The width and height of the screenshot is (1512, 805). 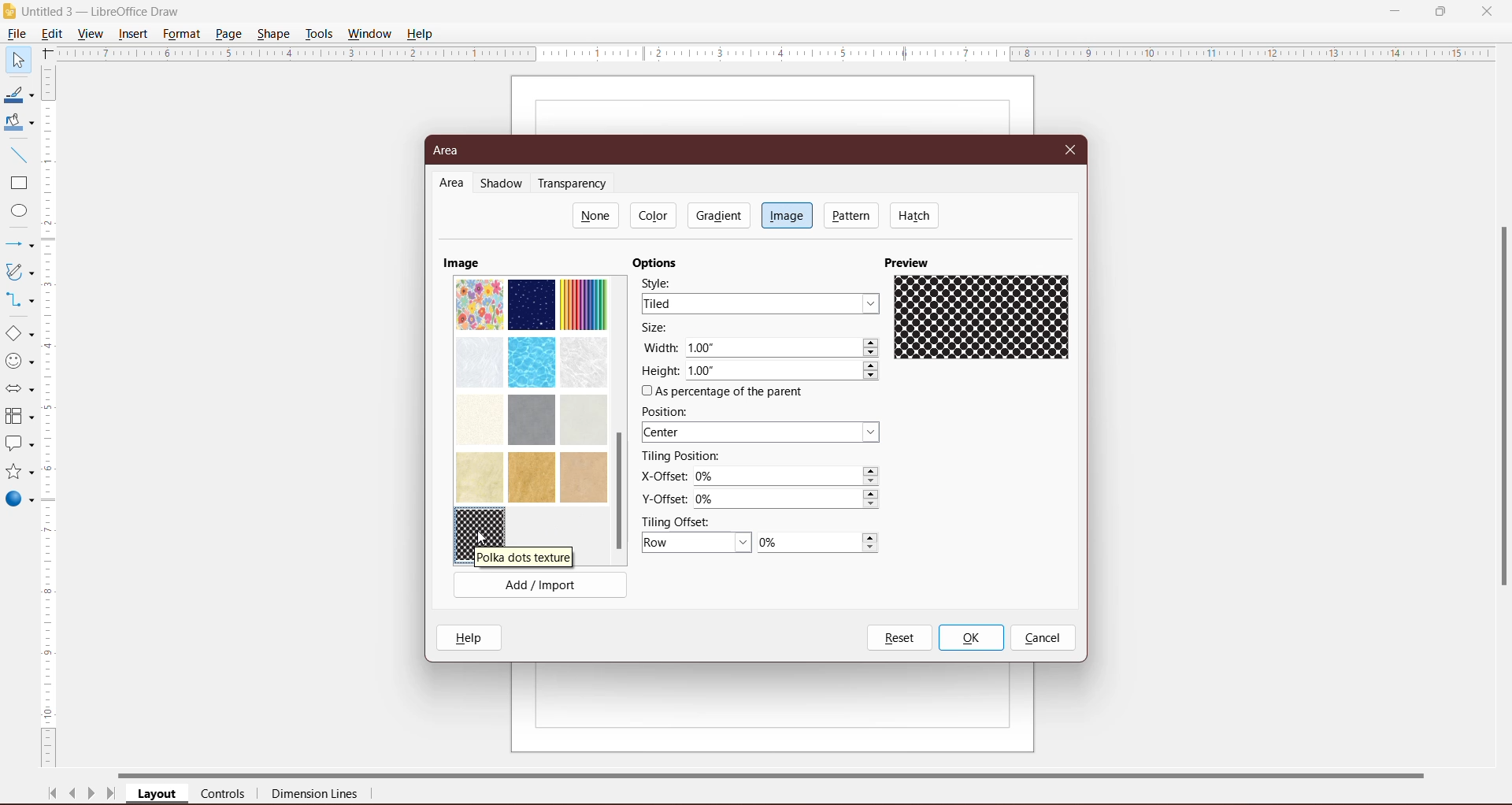 I want to click on Help, so click(x=422, y=33).